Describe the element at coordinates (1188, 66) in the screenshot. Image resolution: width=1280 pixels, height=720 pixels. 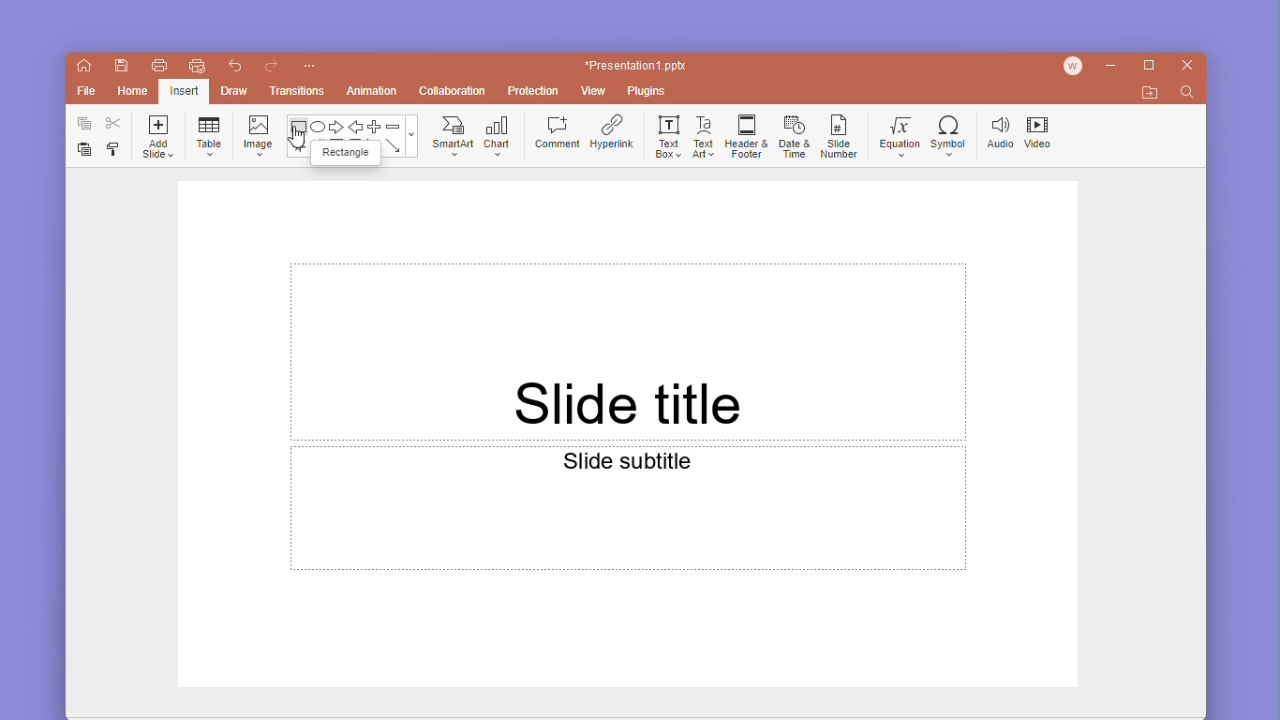
I see `close` at that location.